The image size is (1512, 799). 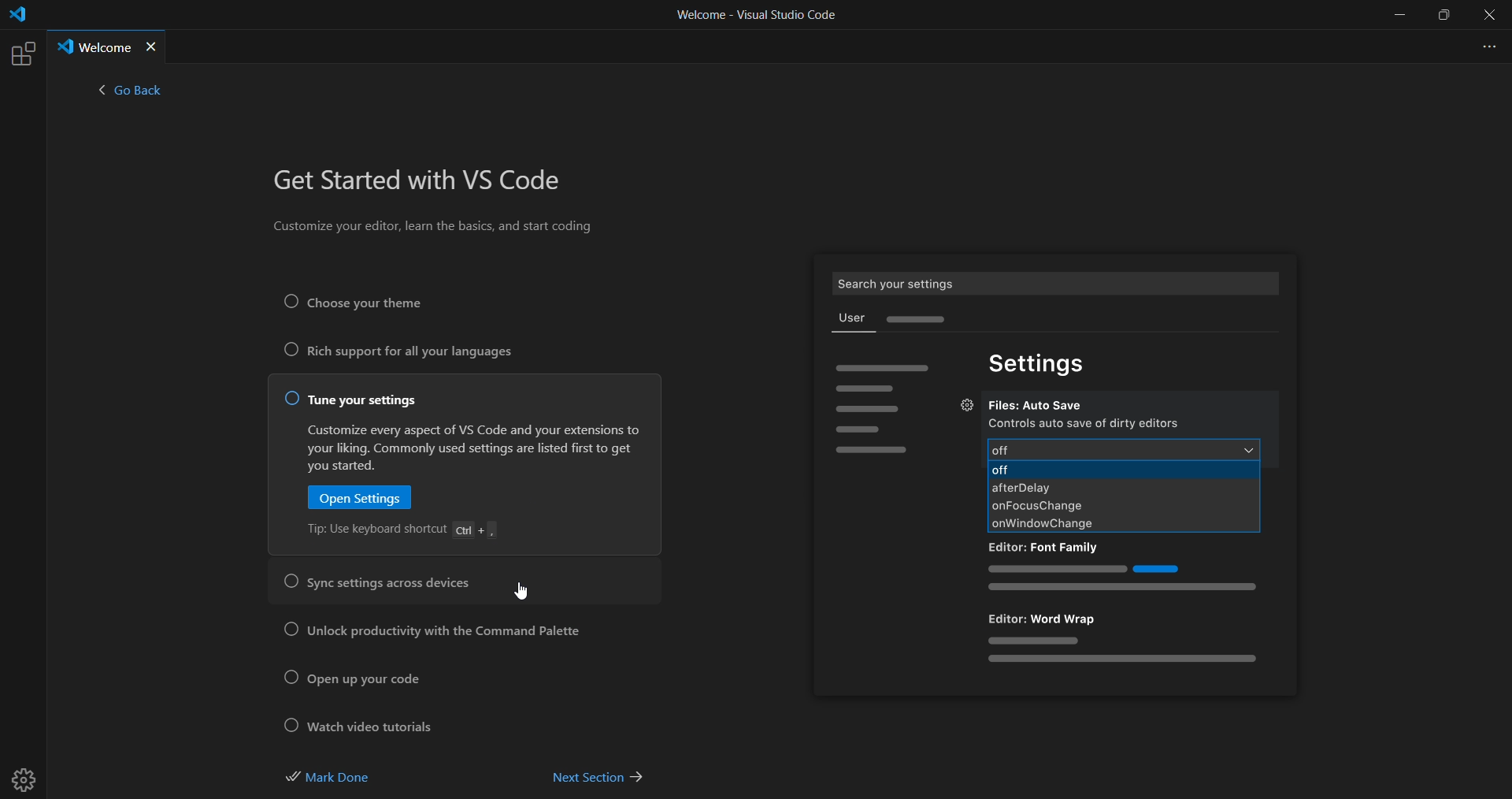 What do you see at coordinates (1052, 547) in the screenshot?
I see `Editor: Font family` at bounding box center [1052, 547].